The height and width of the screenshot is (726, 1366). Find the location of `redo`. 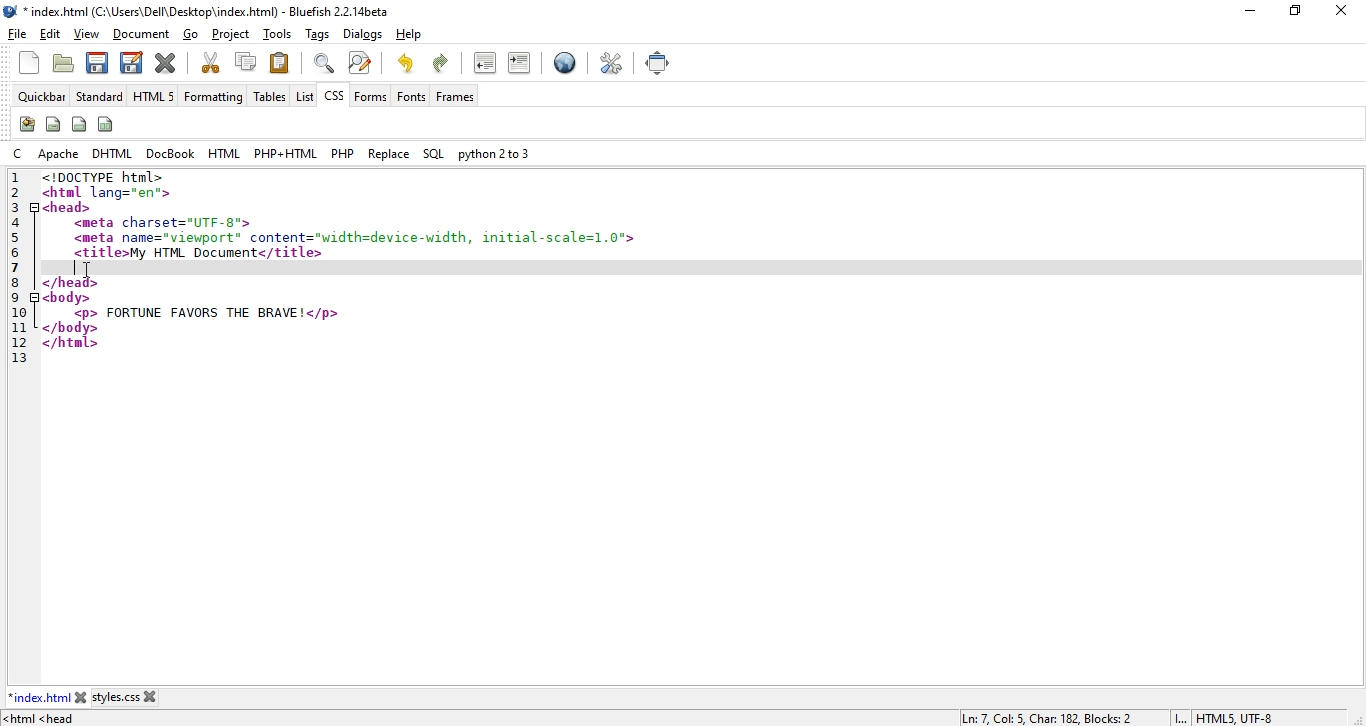

redo is located at coordinates (405, 62).